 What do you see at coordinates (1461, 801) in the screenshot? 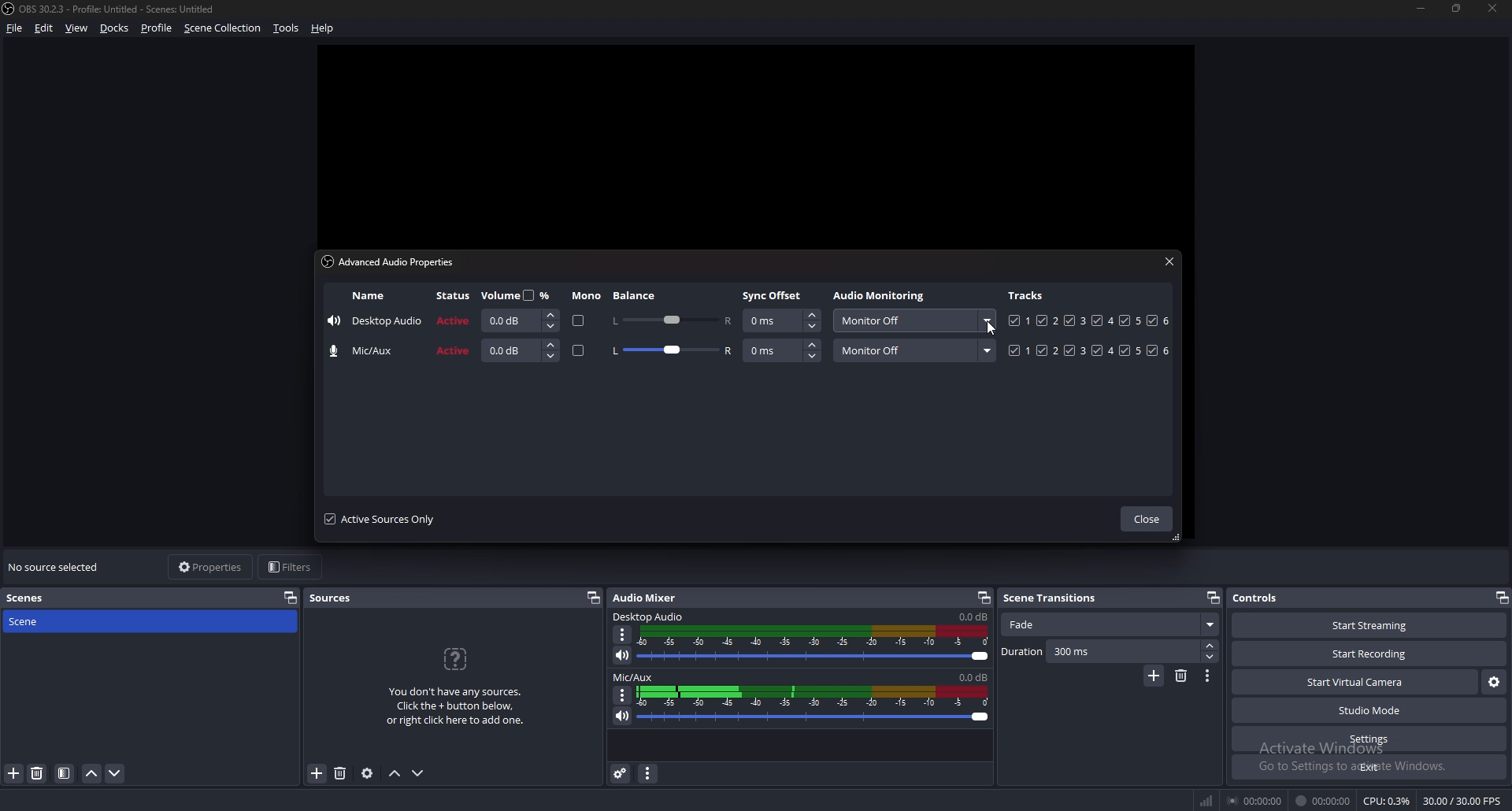
I see `30.00 / 30.00 FPS` at bounding box center [1461, 801].